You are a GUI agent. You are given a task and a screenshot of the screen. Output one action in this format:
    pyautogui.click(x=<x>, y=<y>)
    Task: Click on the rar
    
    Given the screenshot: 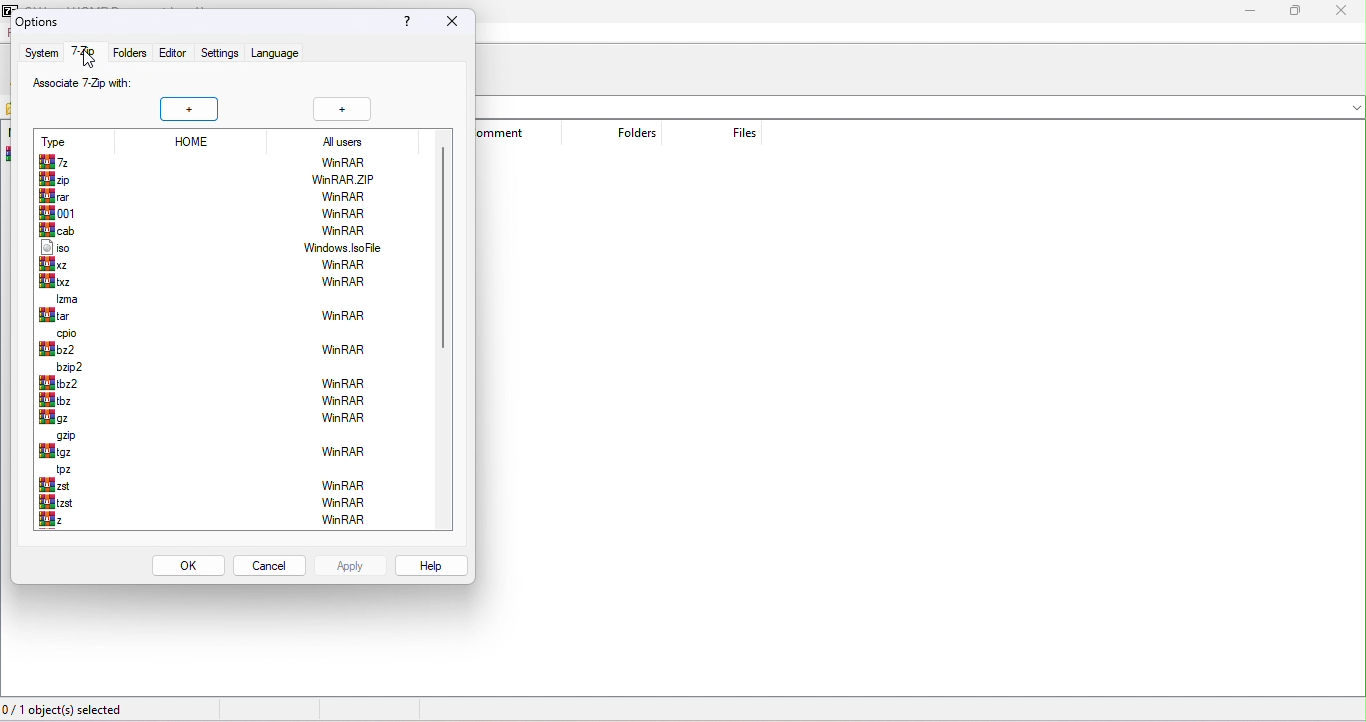 What is the action you would take?
    pyautogui.click(x=58, y=196)
    